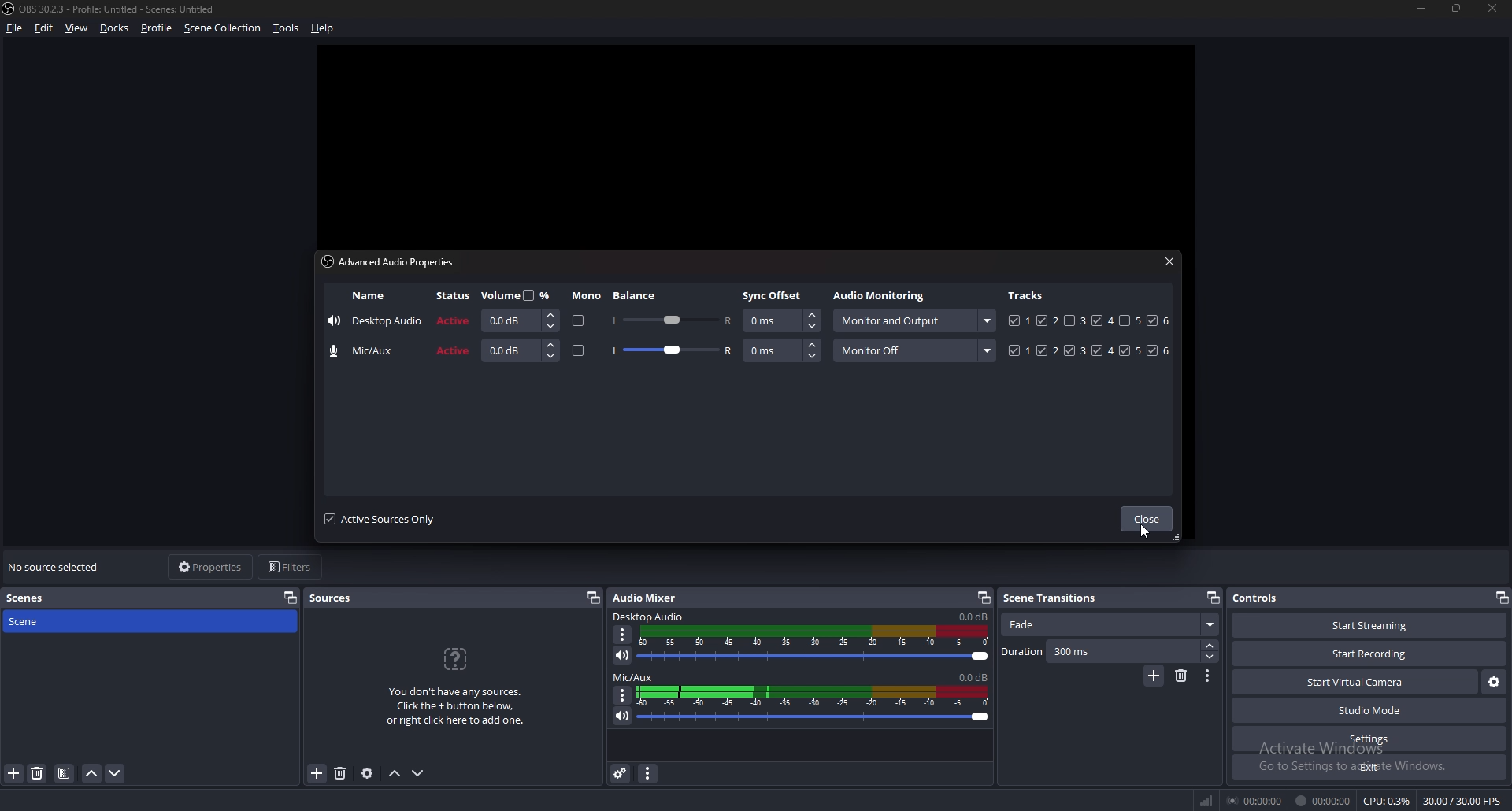  Describe the element at coordinates (64, 774) in the screenshot. I see `filter` at that location.